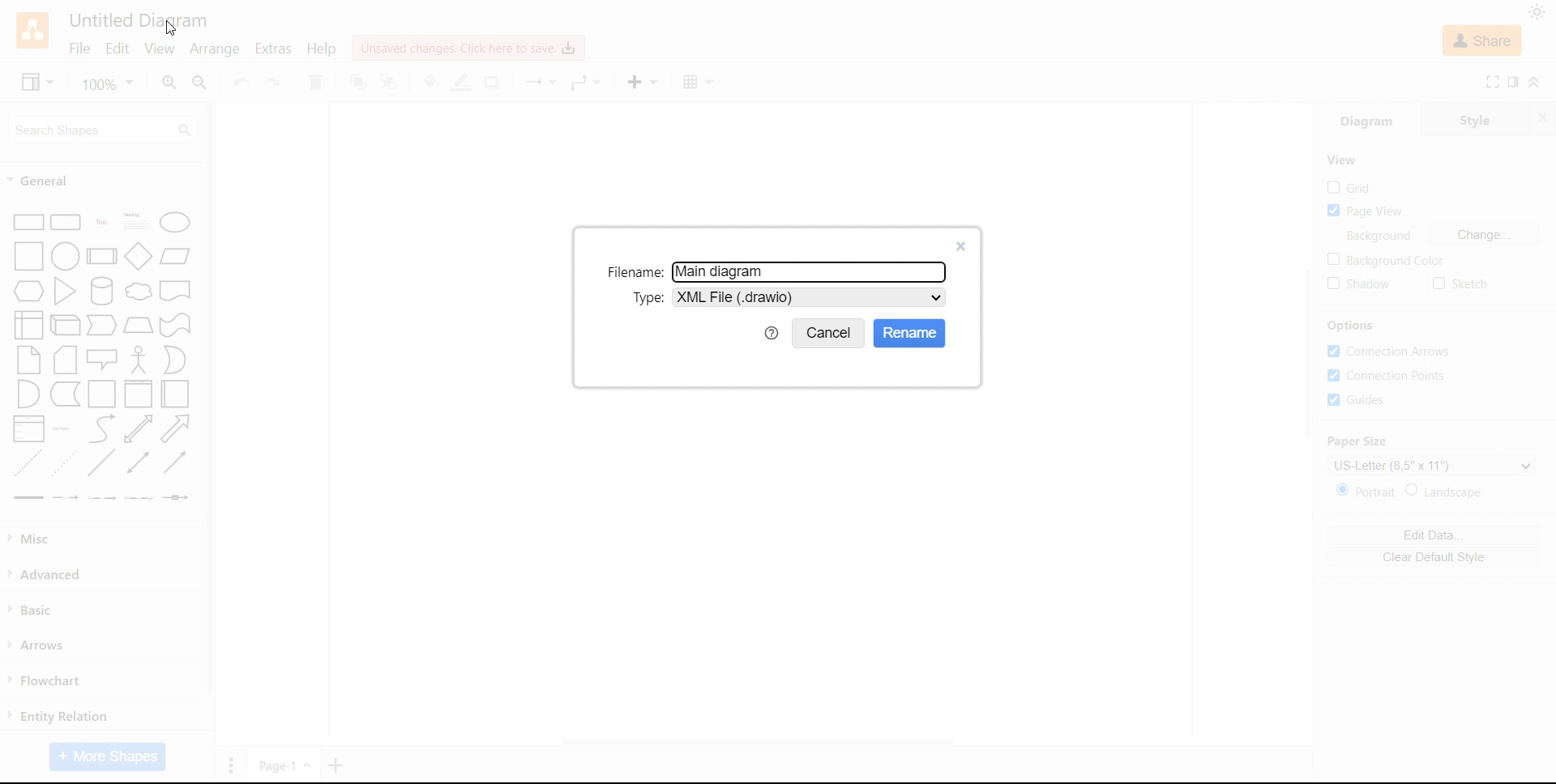  I want to click on Zoom level , so click(109, 83).